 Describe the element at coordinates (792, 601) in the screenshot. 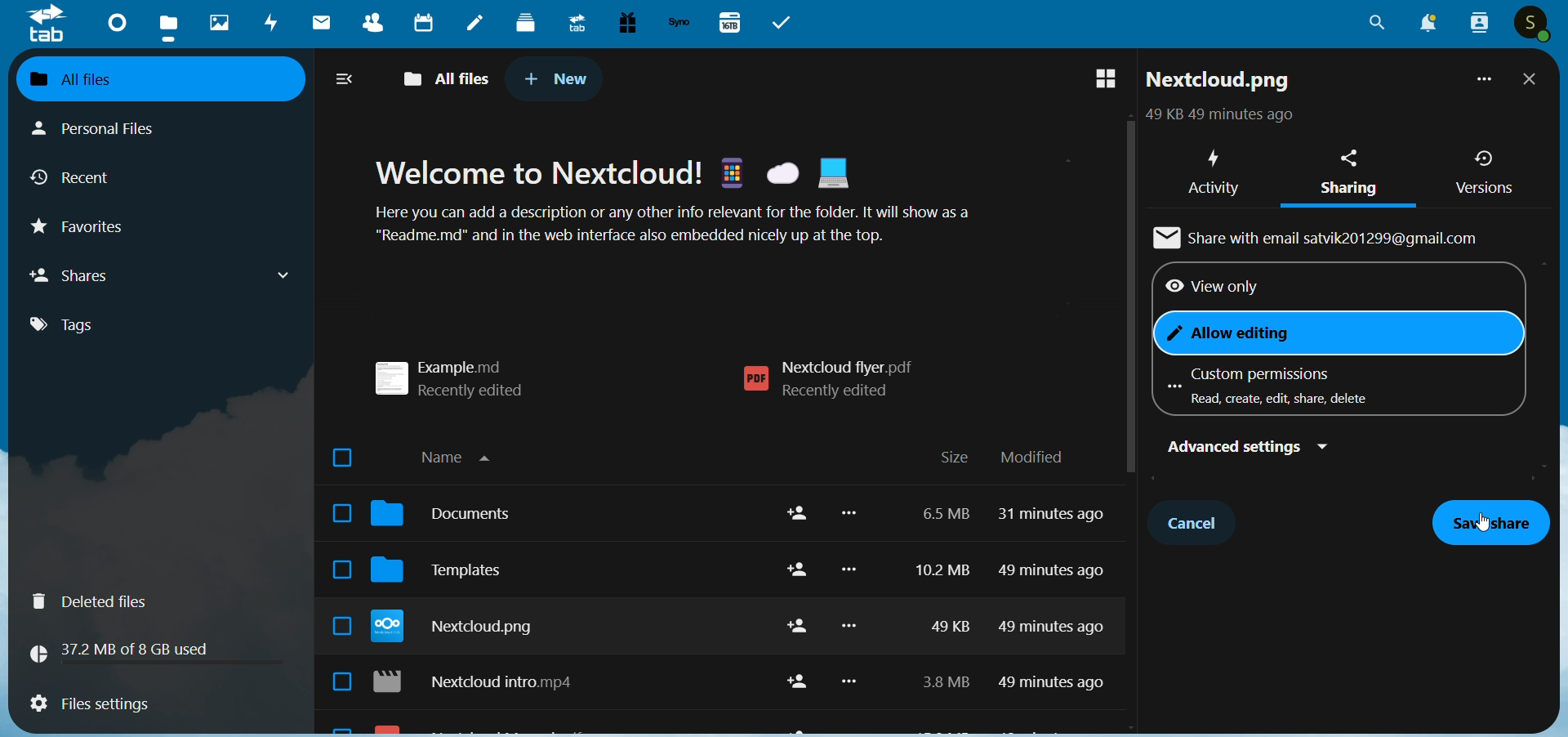

I see `share` at that location.